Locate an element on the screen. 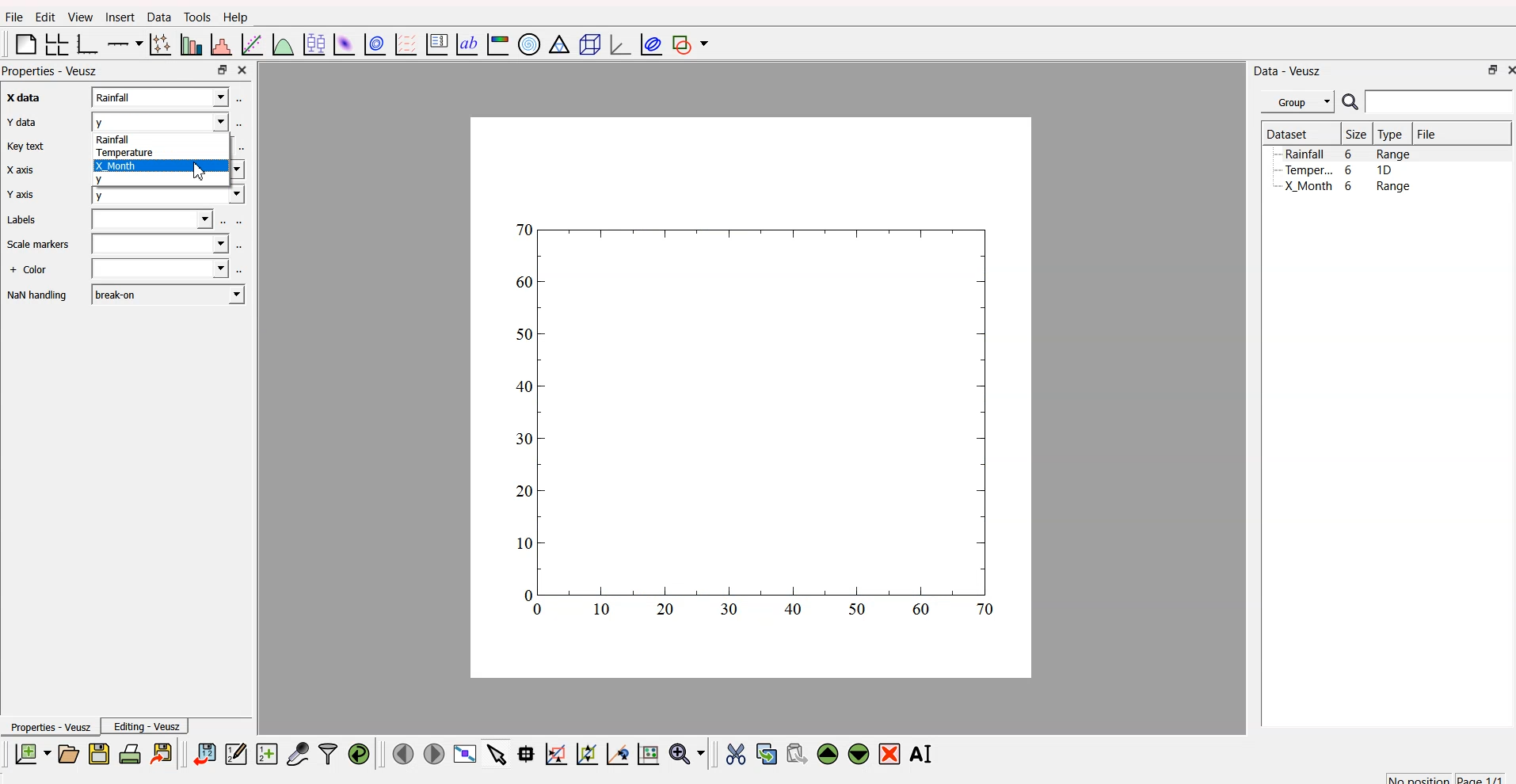  move to previous page is located at coordinates (403, 752).